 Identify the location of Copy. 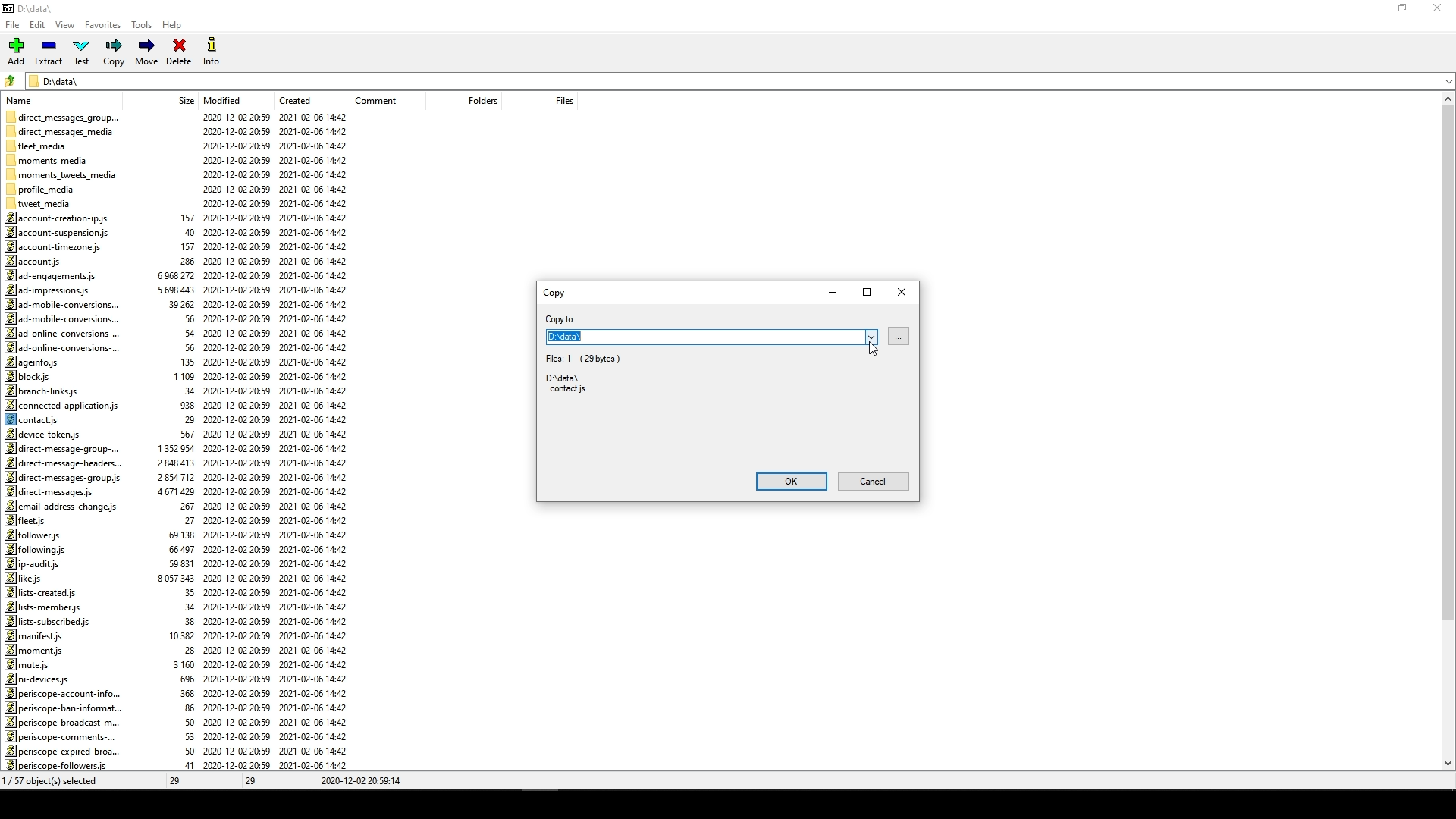
(554, 292).